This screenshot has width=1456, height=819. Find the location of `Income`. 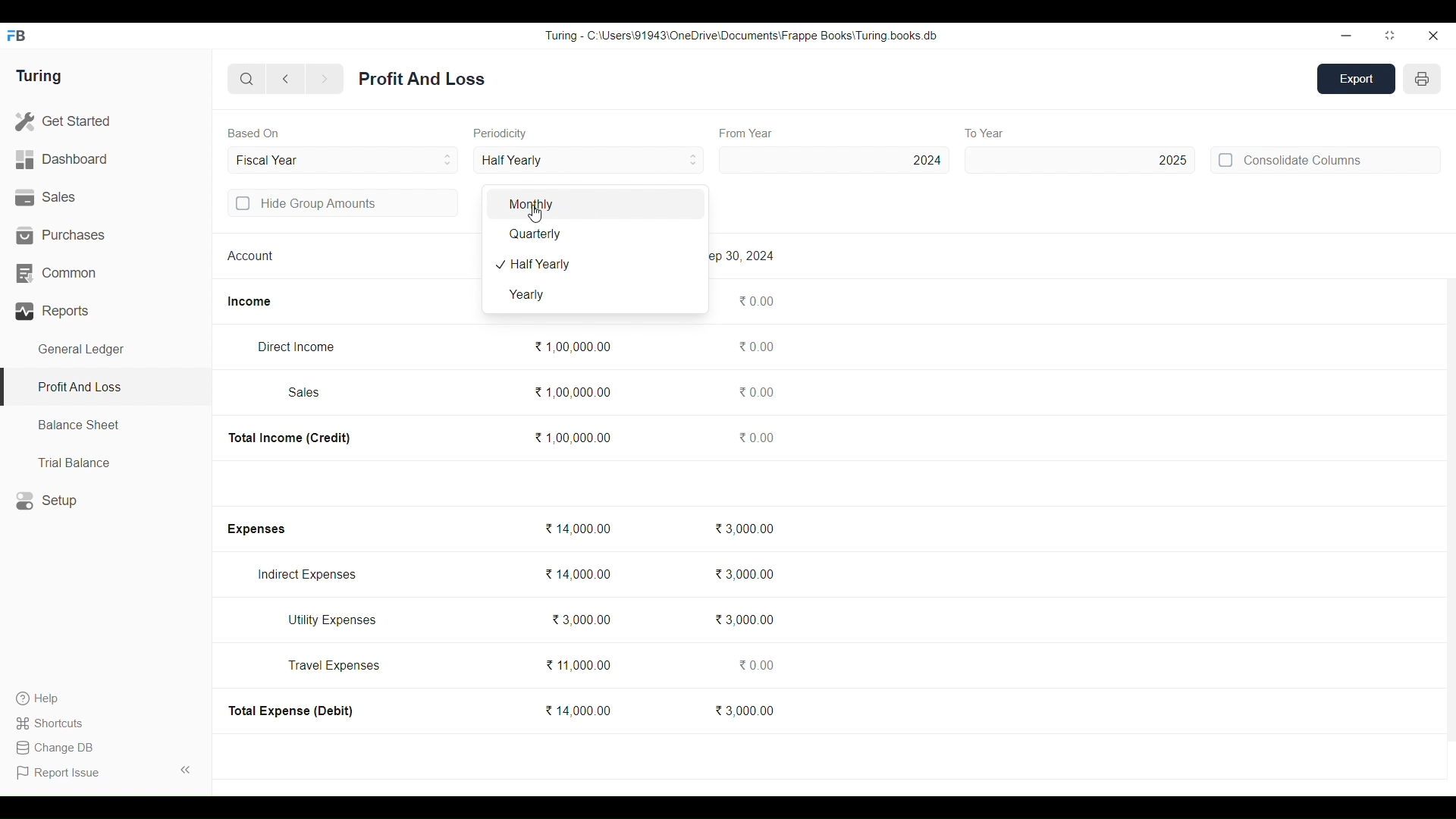

Income is located at coordinates (249, 302).